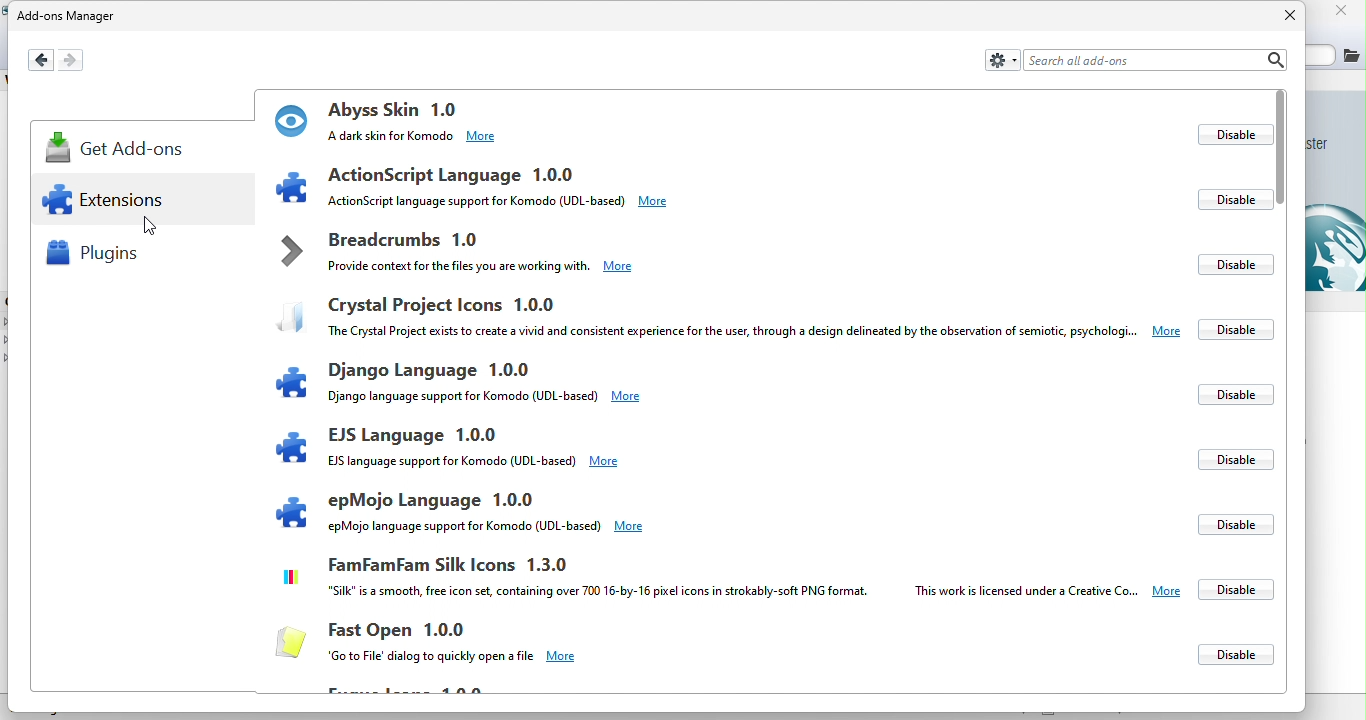 The height and width of the screenshot is (720, 1366). What do you see at coordinates (122, 152) in the screenshot?
I see `get add ons` at bounding box center [122, 152].